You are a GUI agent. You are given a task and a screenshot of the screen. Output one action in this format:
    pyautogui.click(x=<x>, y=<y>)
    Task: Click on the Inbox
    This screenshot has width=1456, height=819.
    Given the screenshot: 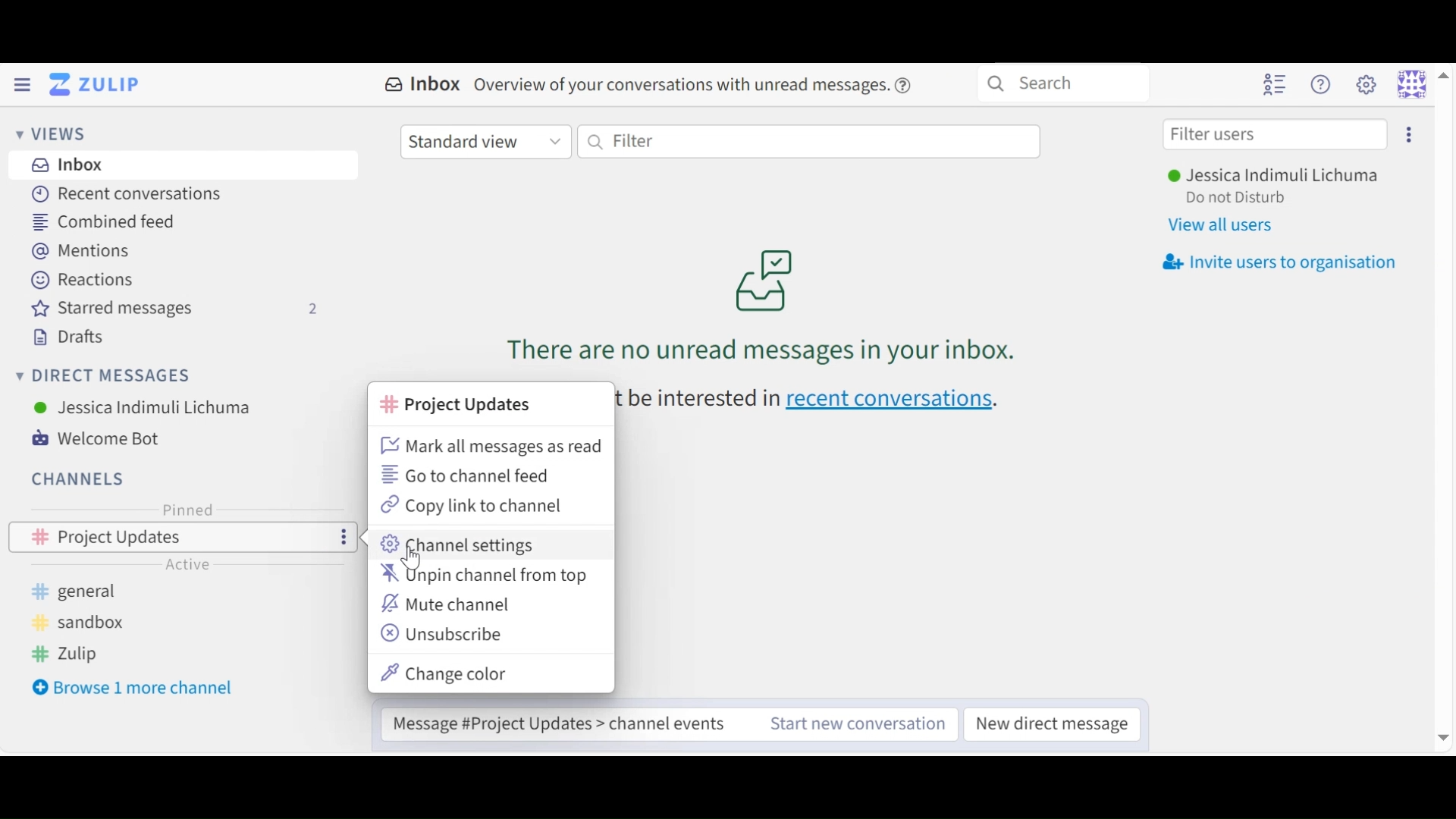 What is the action you would take?
    pyautogui.click(x=72, y=165)
    